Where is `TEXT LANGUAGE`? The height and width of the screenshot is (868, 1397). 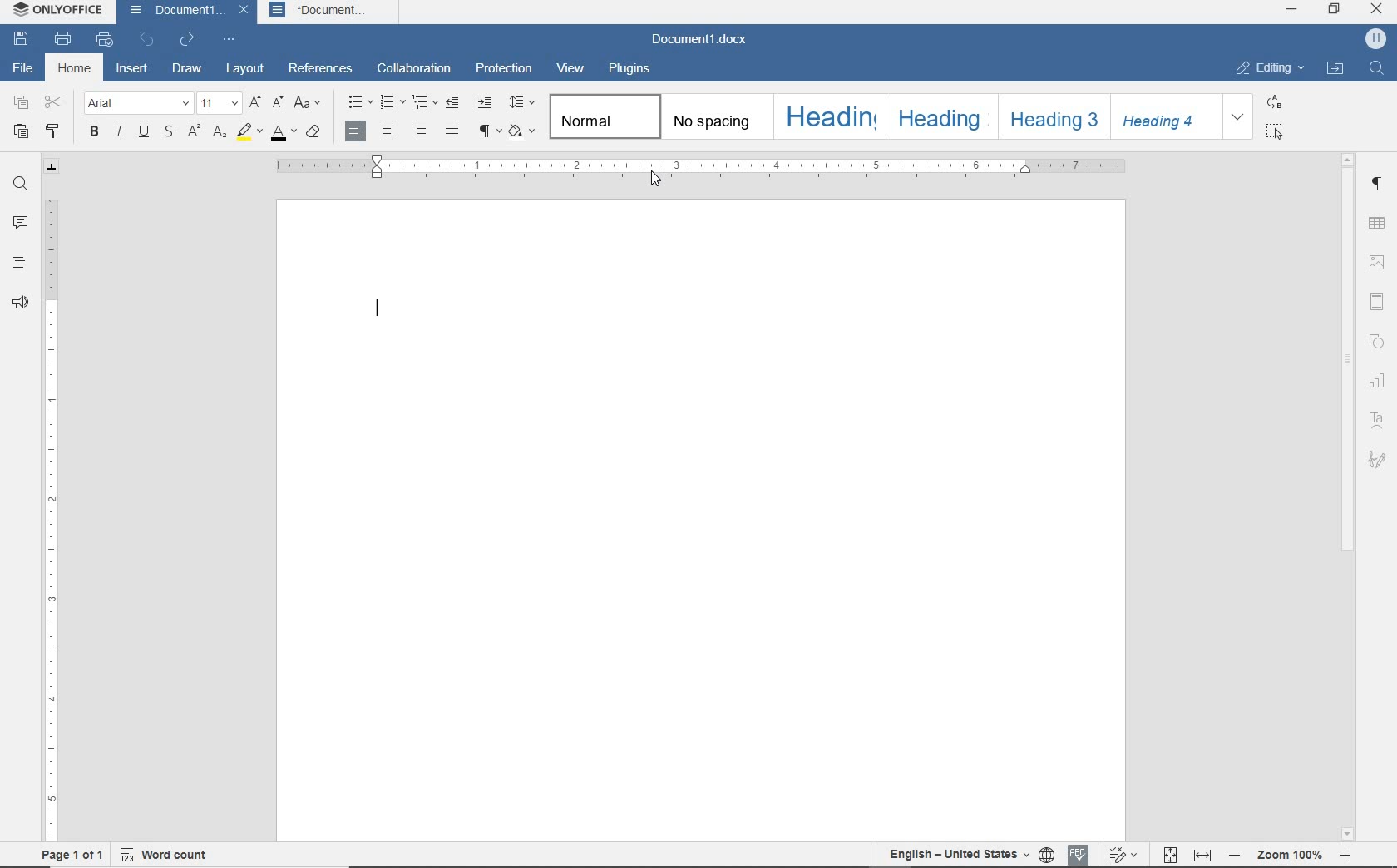 TEXT LANGUAGE is located at coordinates (956, 854).